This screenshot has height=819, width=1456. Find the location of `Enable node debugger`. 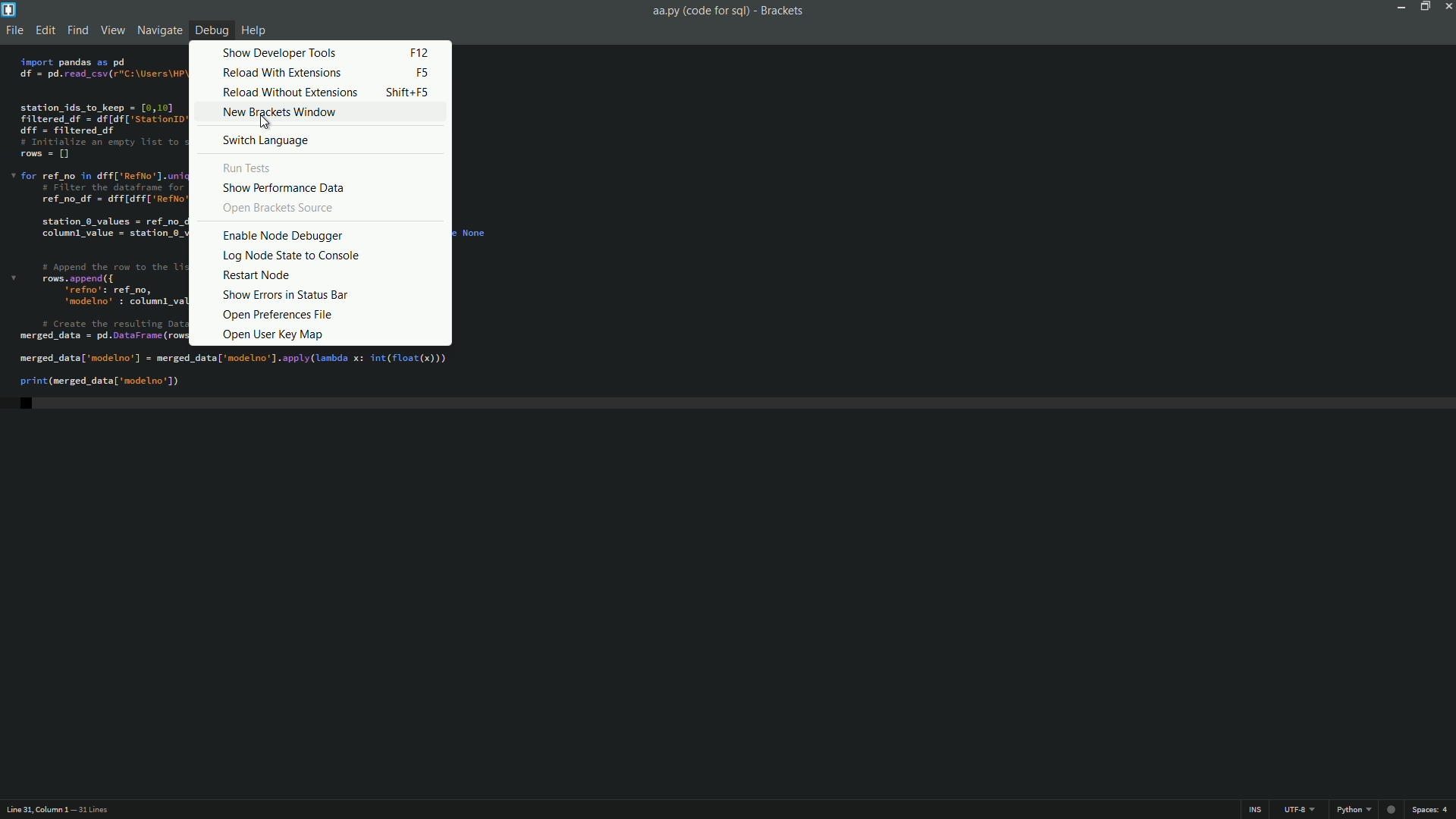

Enable node debugger is located at coordinates (283, 237).